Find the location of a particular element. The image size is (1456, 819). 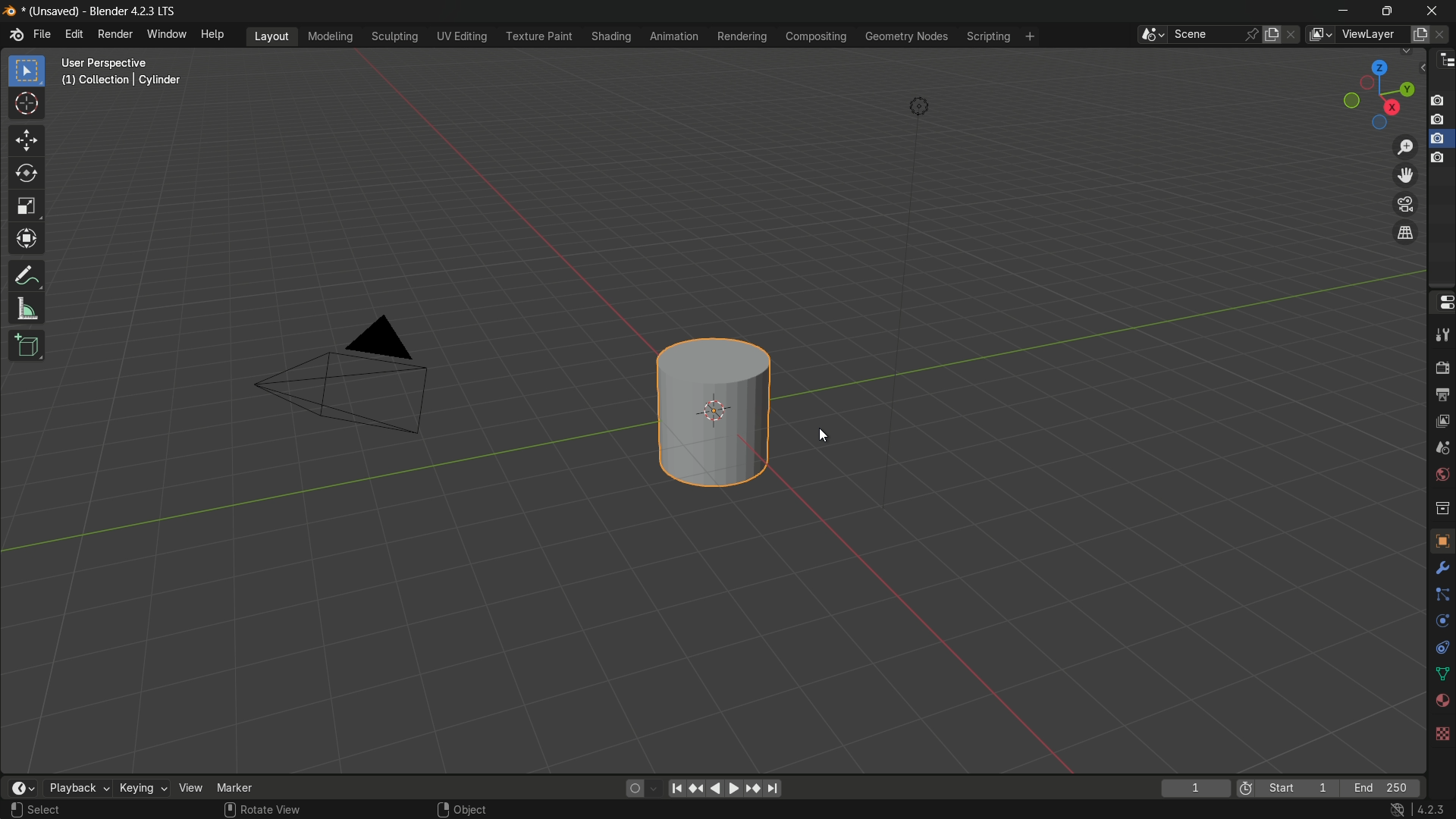

move is located at coordinates (28, 140).